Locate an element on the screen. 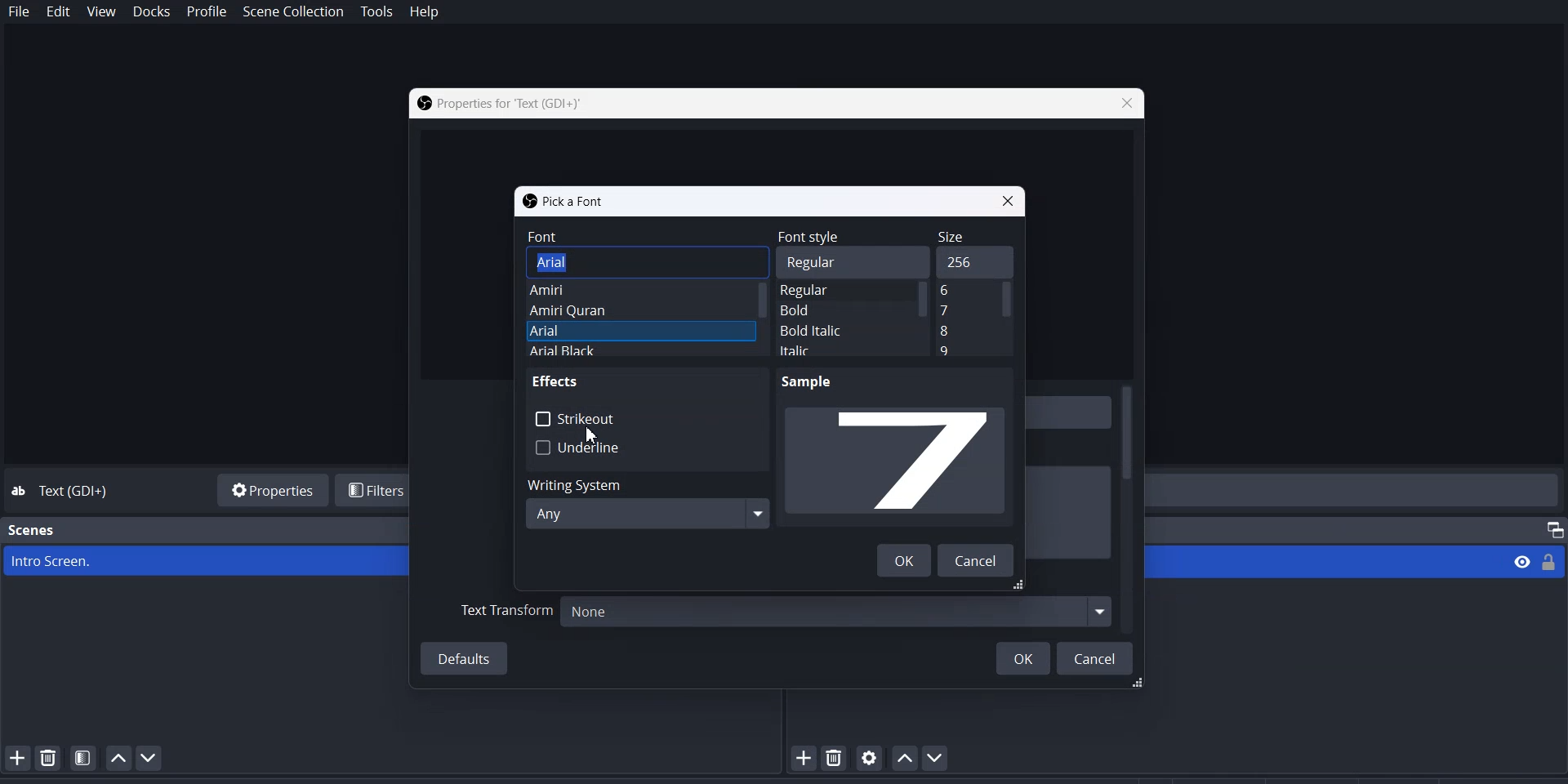 The width and height of the screenshot is (1568, 784). Add Source is located at coordinates (804, 758).